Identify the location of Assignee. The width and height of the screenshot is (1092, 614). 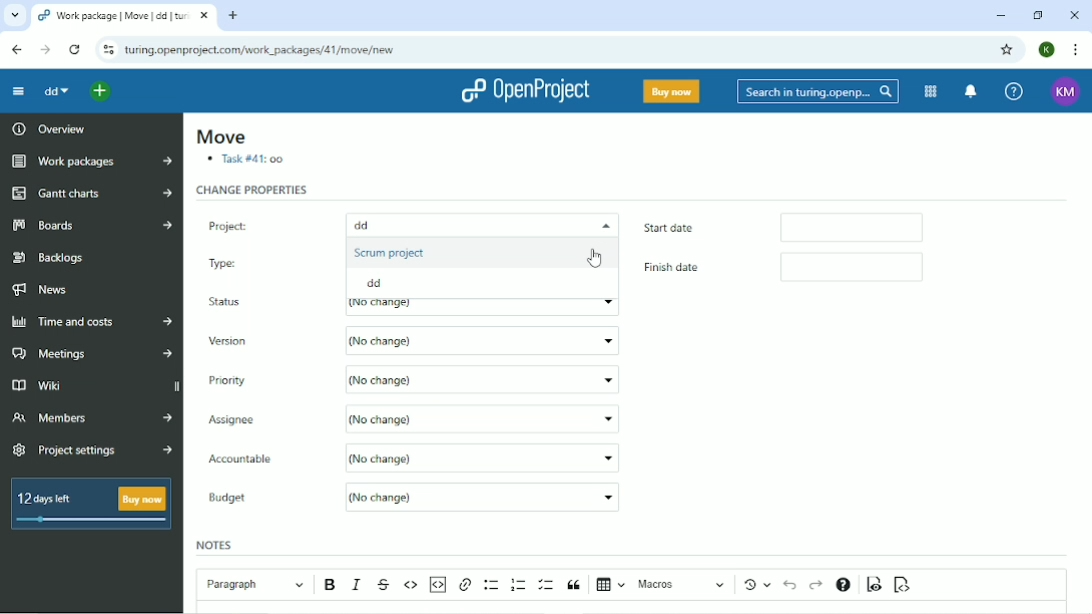
(265, 419).